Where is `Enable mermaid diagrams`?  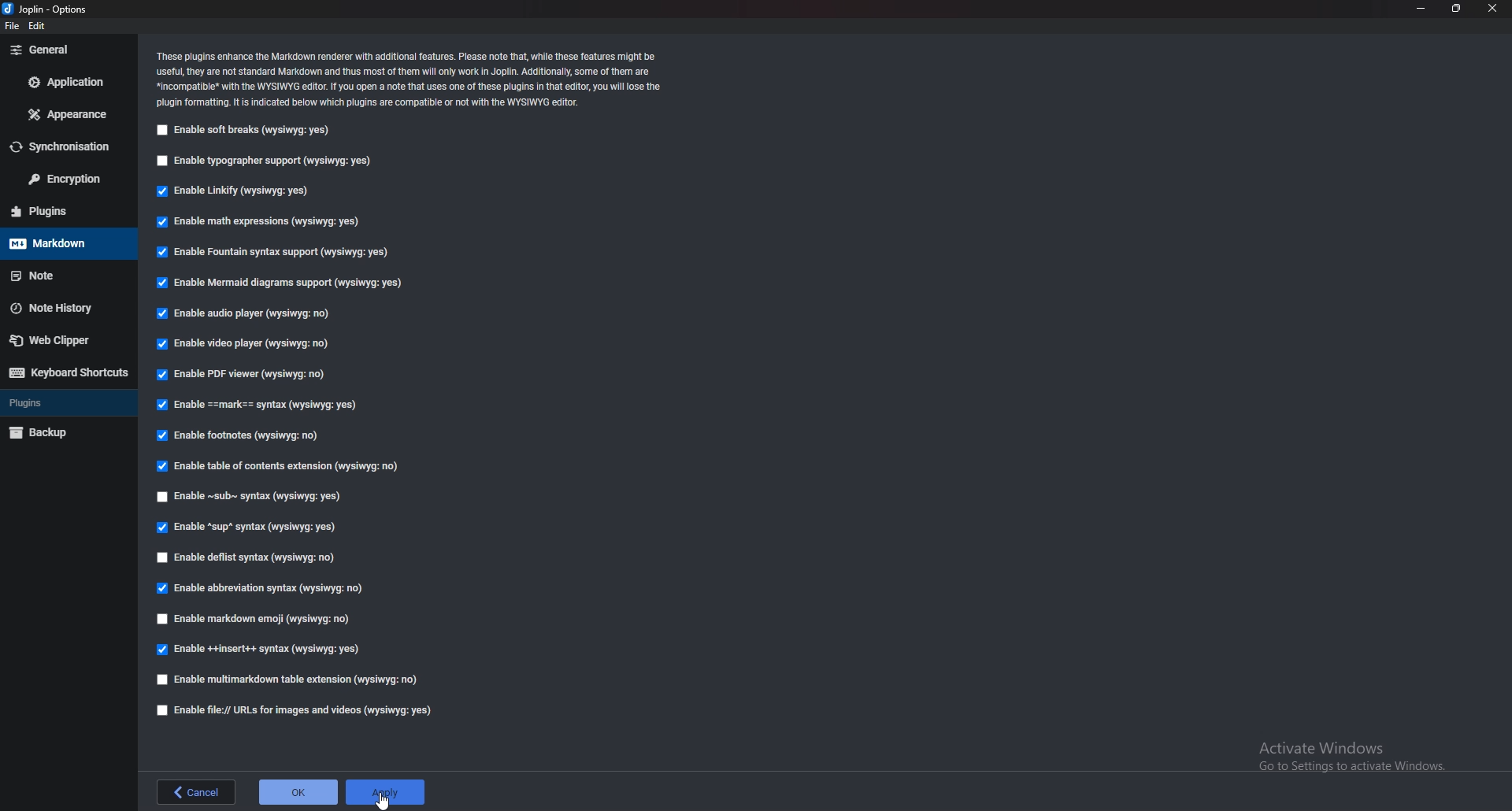 Enable mermaid diagrams is located at coordinates (286, 283).